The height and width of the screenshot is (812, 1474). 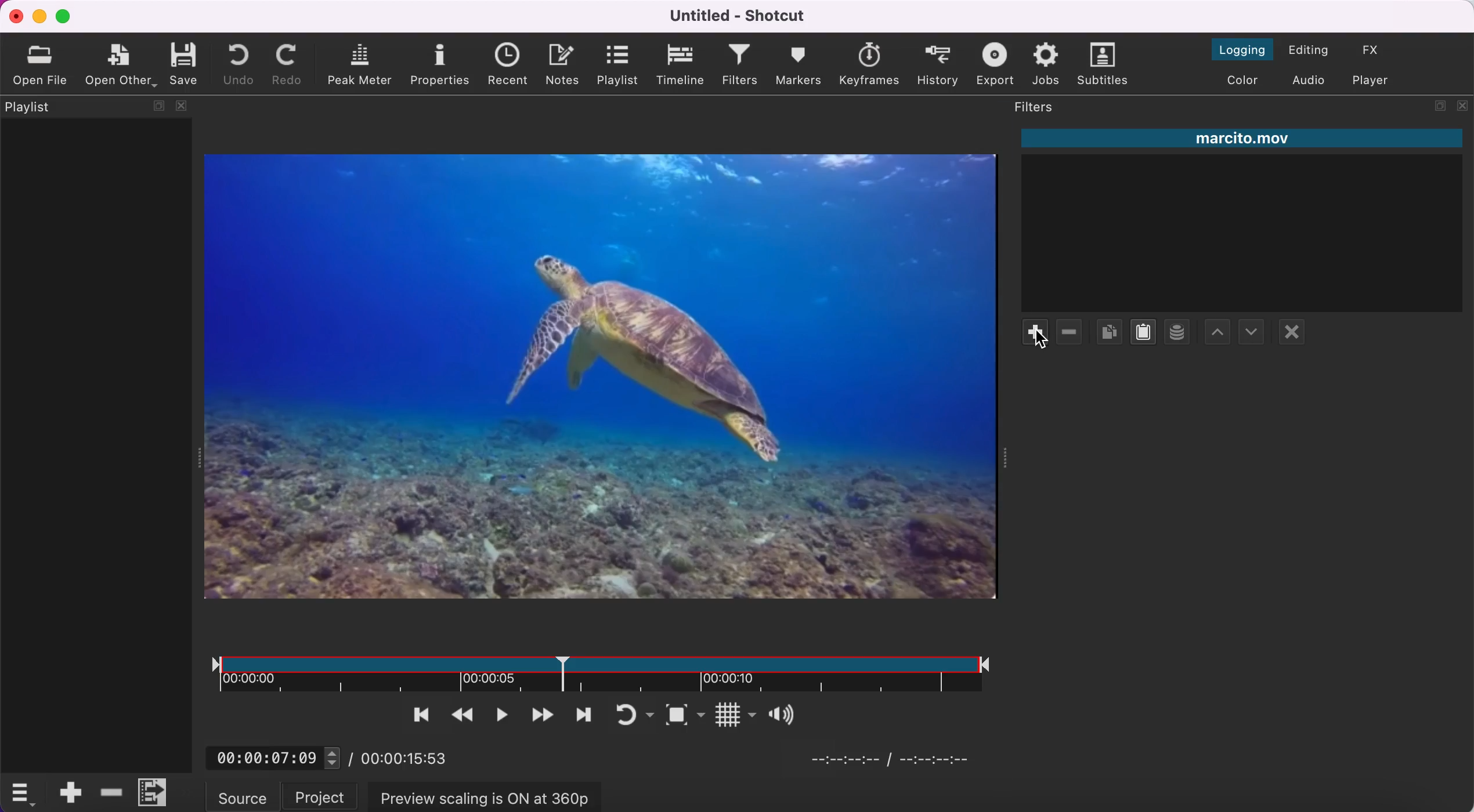 I want to click on close, so click(x=15, y=16).